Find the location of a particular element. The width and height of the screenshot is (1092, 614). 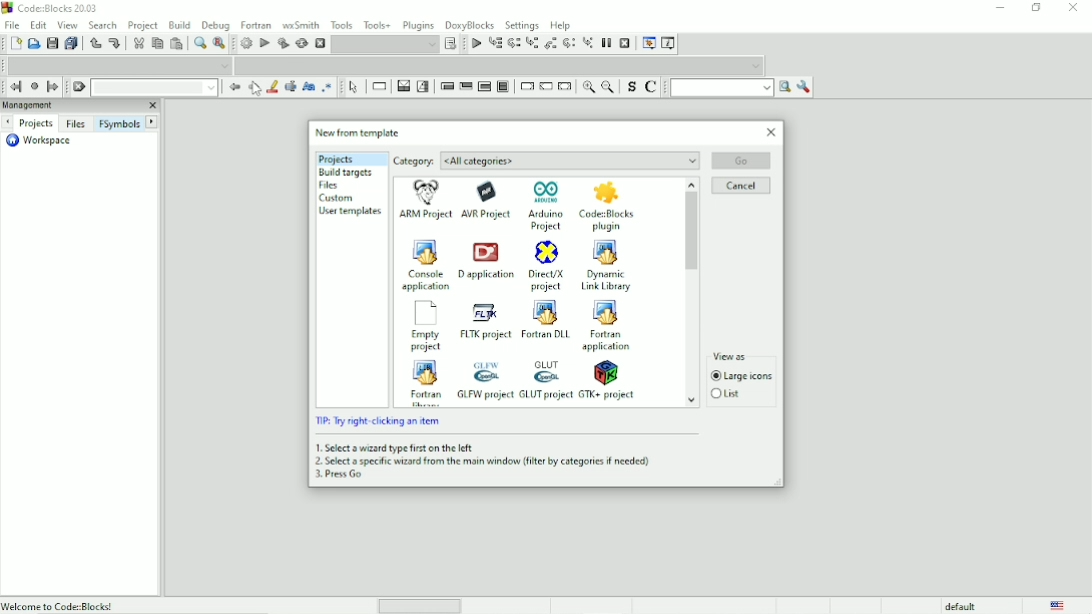

Plugins is located at coordinates (419, 25).